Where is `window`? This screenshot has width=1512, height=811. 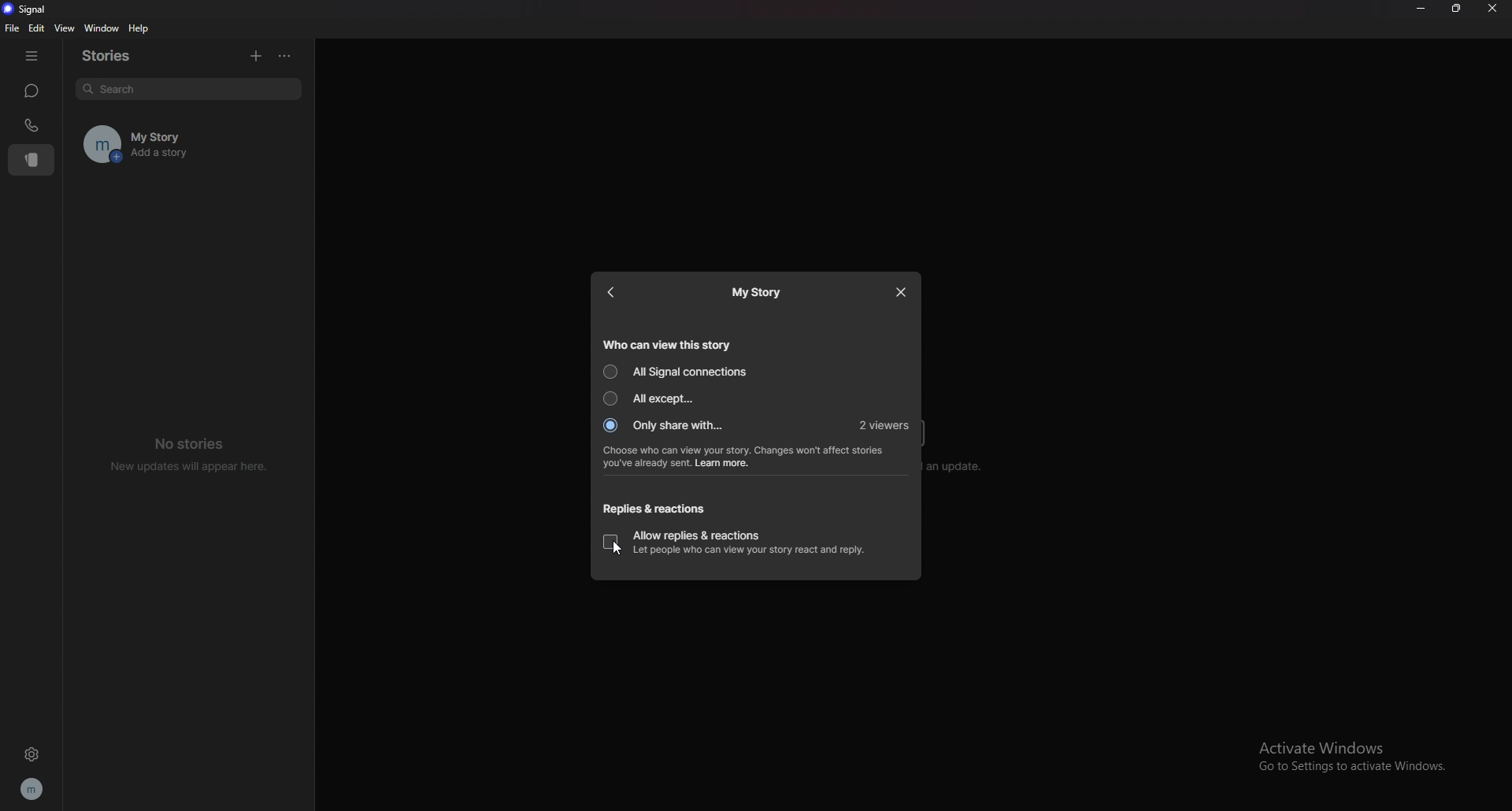 window is located at coordinates (100, 28).